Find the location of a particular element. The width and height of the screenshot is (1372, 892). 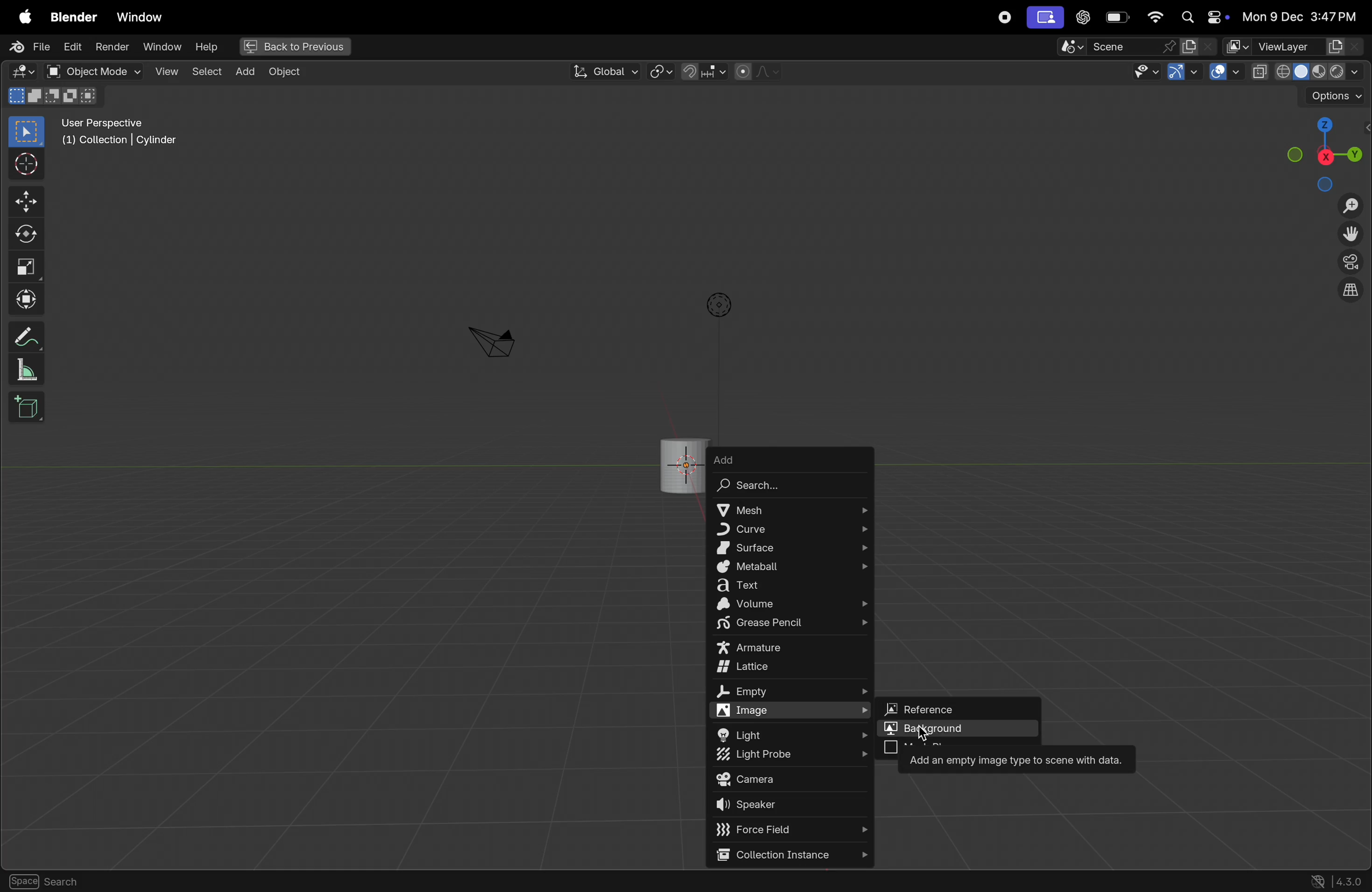

select point is located at coordinates (26, 131).